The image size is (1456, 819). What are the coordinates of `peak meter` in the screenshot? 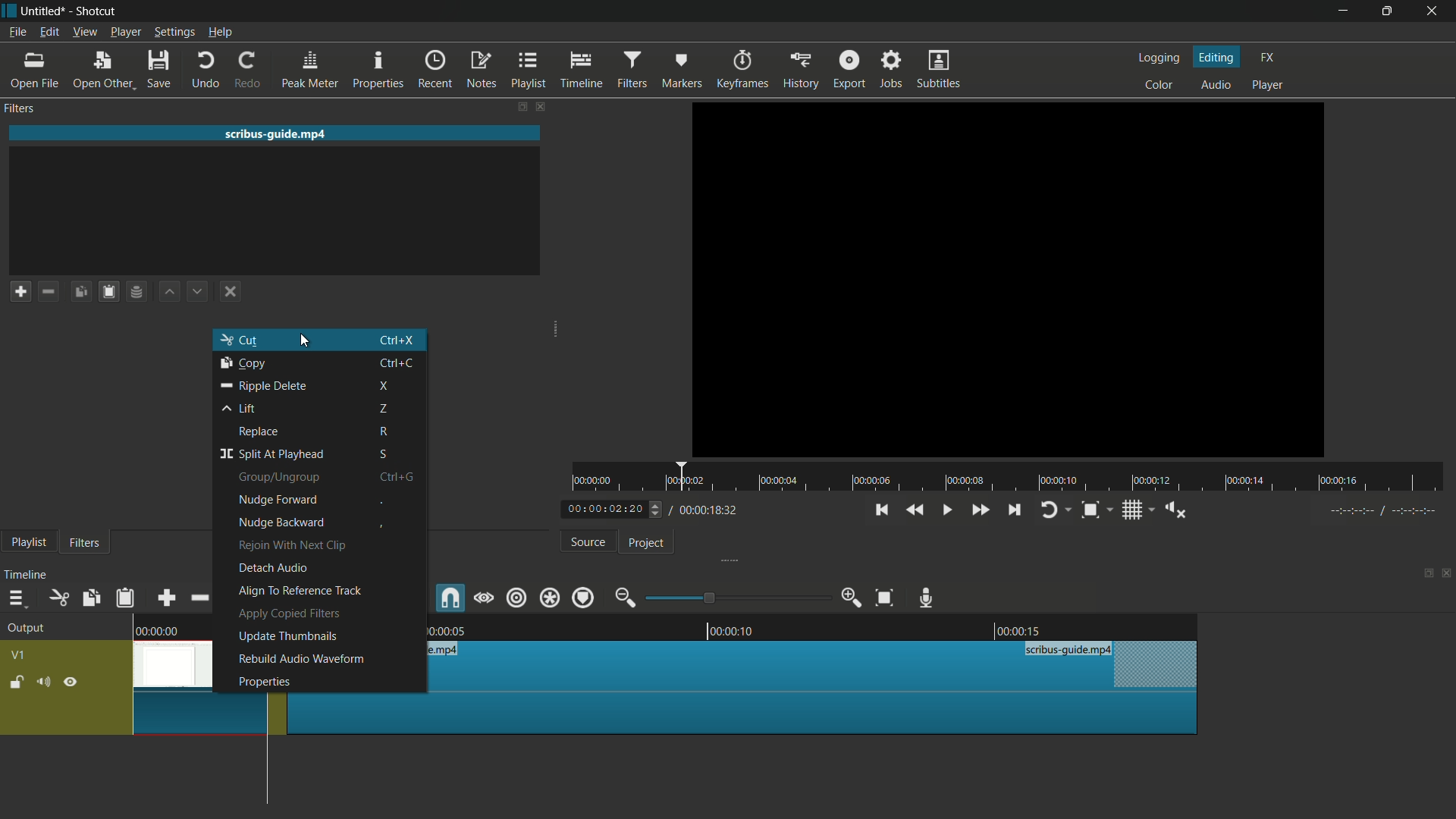 It's located at (311, 69).